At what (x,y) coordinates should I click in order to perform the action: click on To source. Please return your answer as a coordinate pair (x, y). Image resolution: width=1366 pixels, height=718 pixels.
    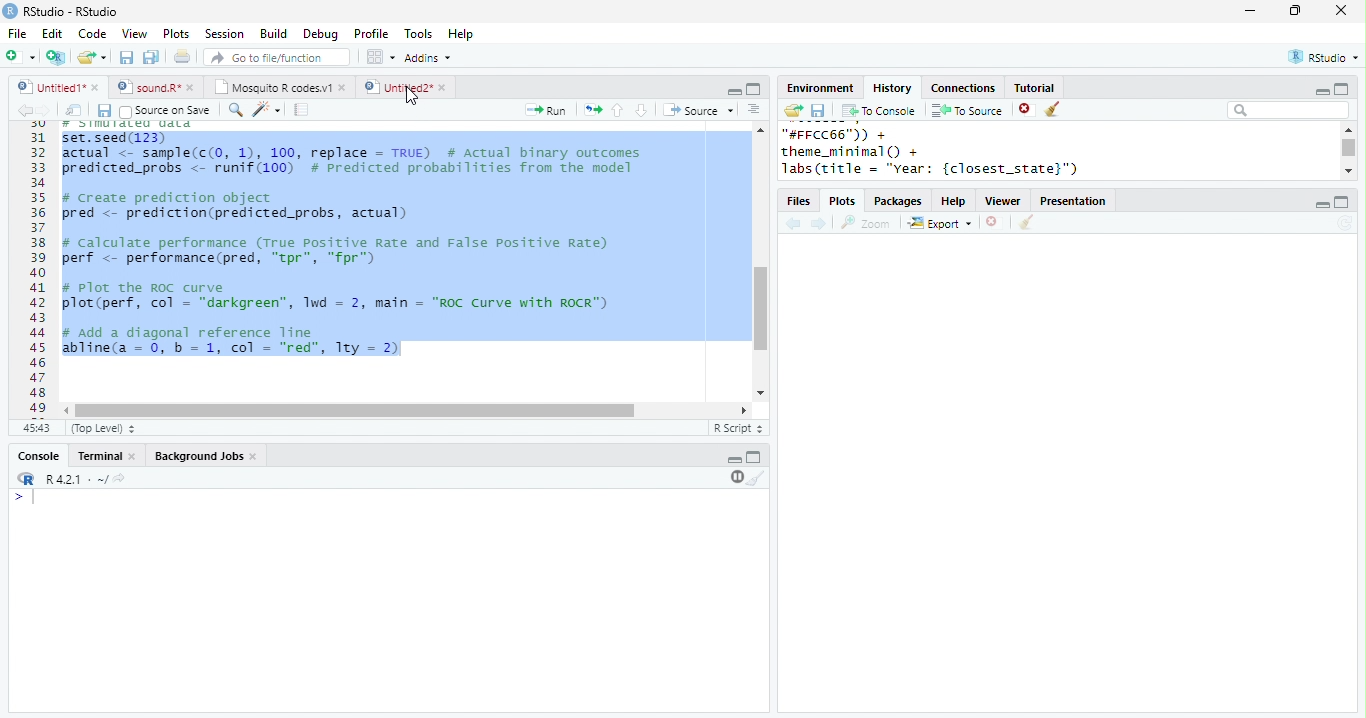
    Looking at the image, I should click on (967, 110).